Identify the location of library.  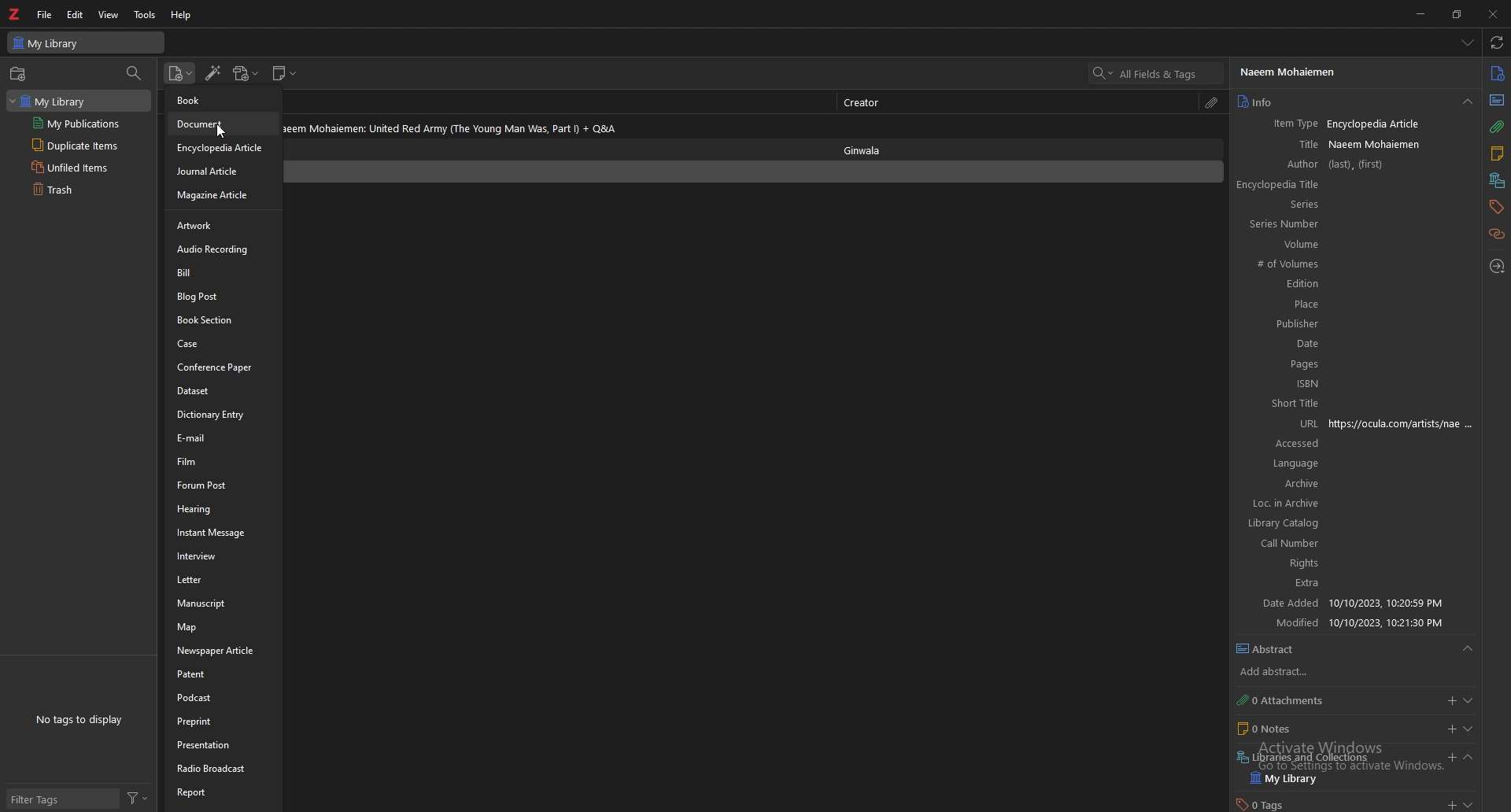
(57, 100).